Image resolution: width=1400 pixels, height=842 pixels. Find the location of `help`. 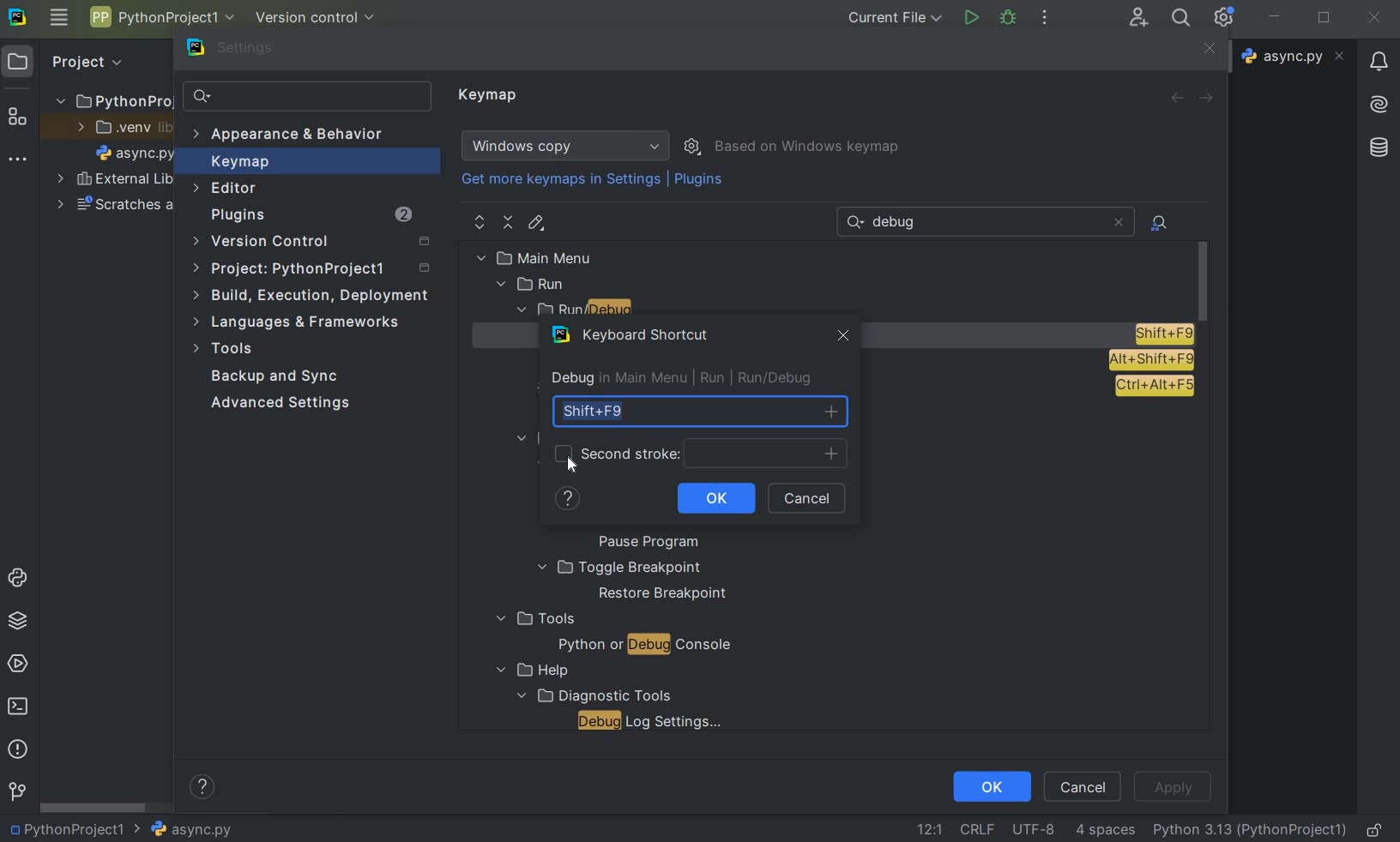

help is located at coordinates (570, 502).